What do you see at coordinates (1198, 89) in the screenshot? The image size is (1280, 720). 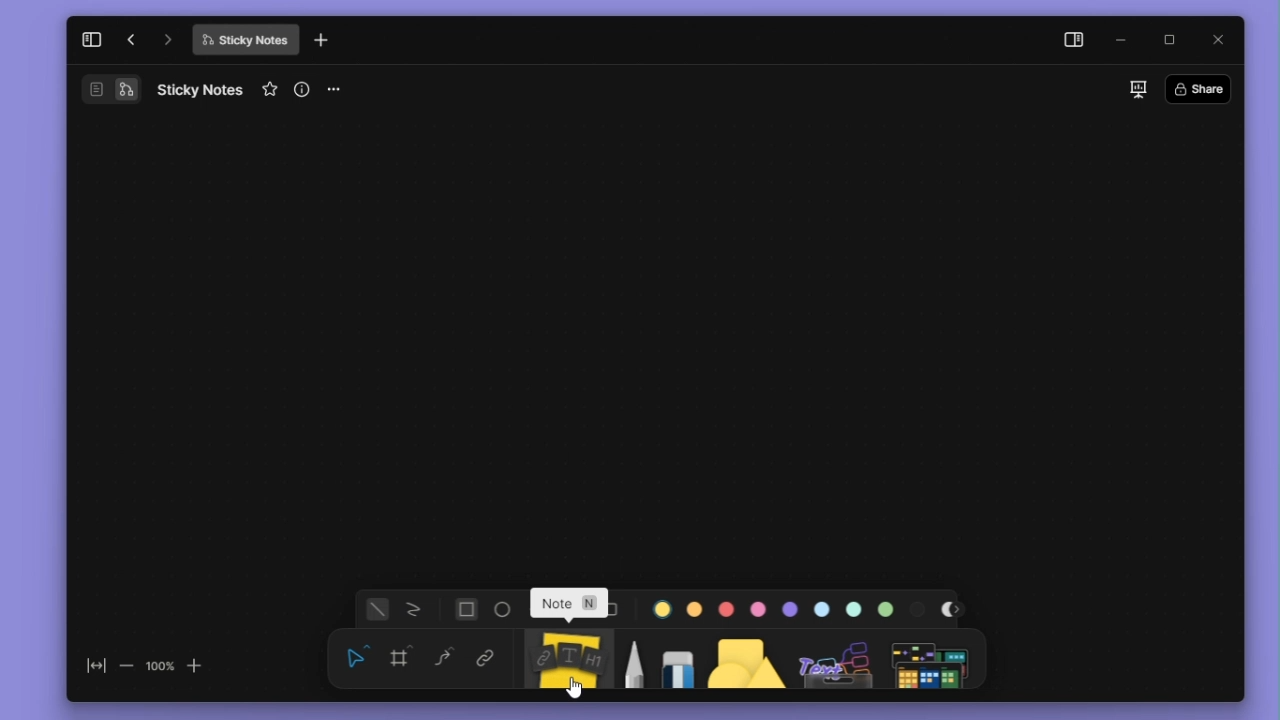 I see `Share ` at bounding box center [1198, 89].